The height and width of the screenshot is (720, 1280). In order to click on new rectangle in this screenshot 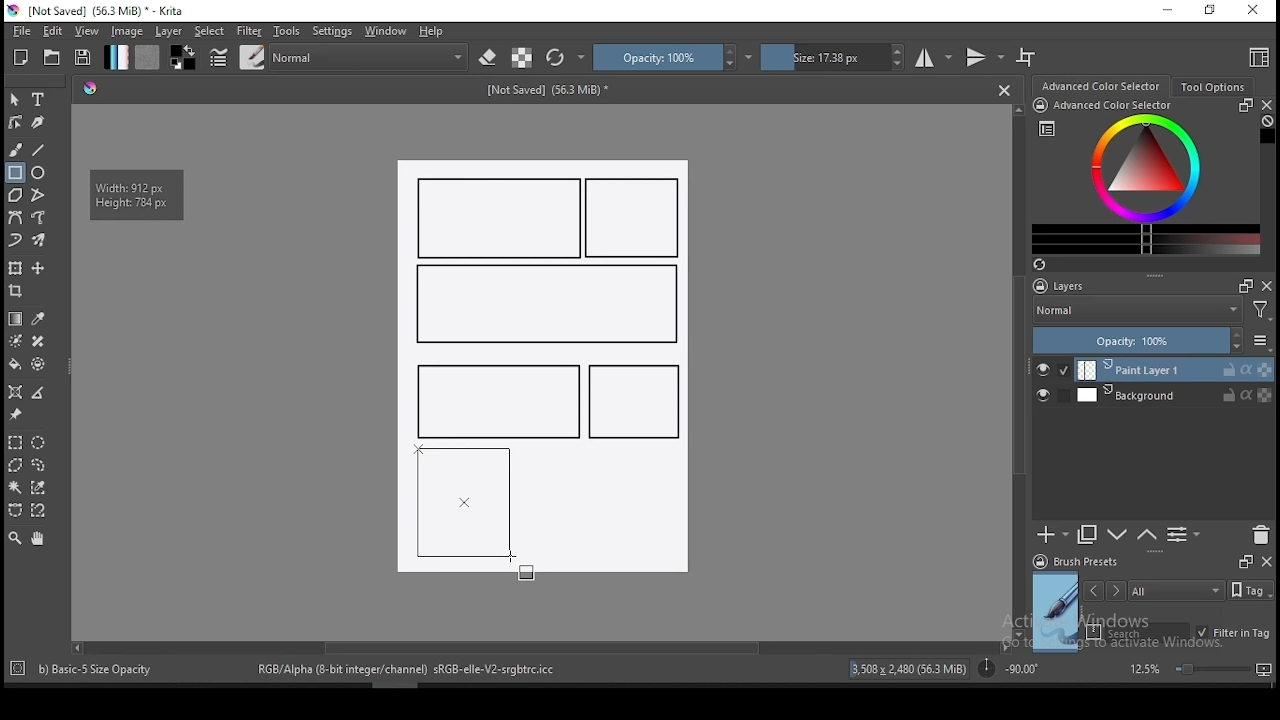, I will do `click(500, 218)`.